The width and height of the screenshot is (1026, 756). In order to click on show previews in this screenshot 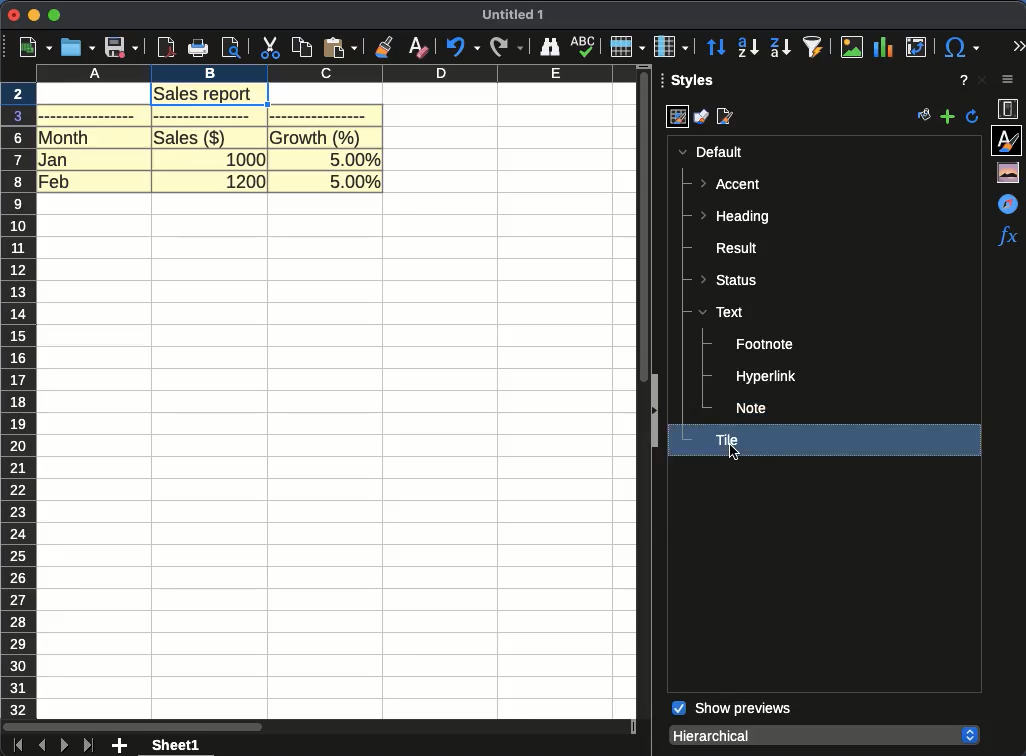, I will do `click(732, 709)`.